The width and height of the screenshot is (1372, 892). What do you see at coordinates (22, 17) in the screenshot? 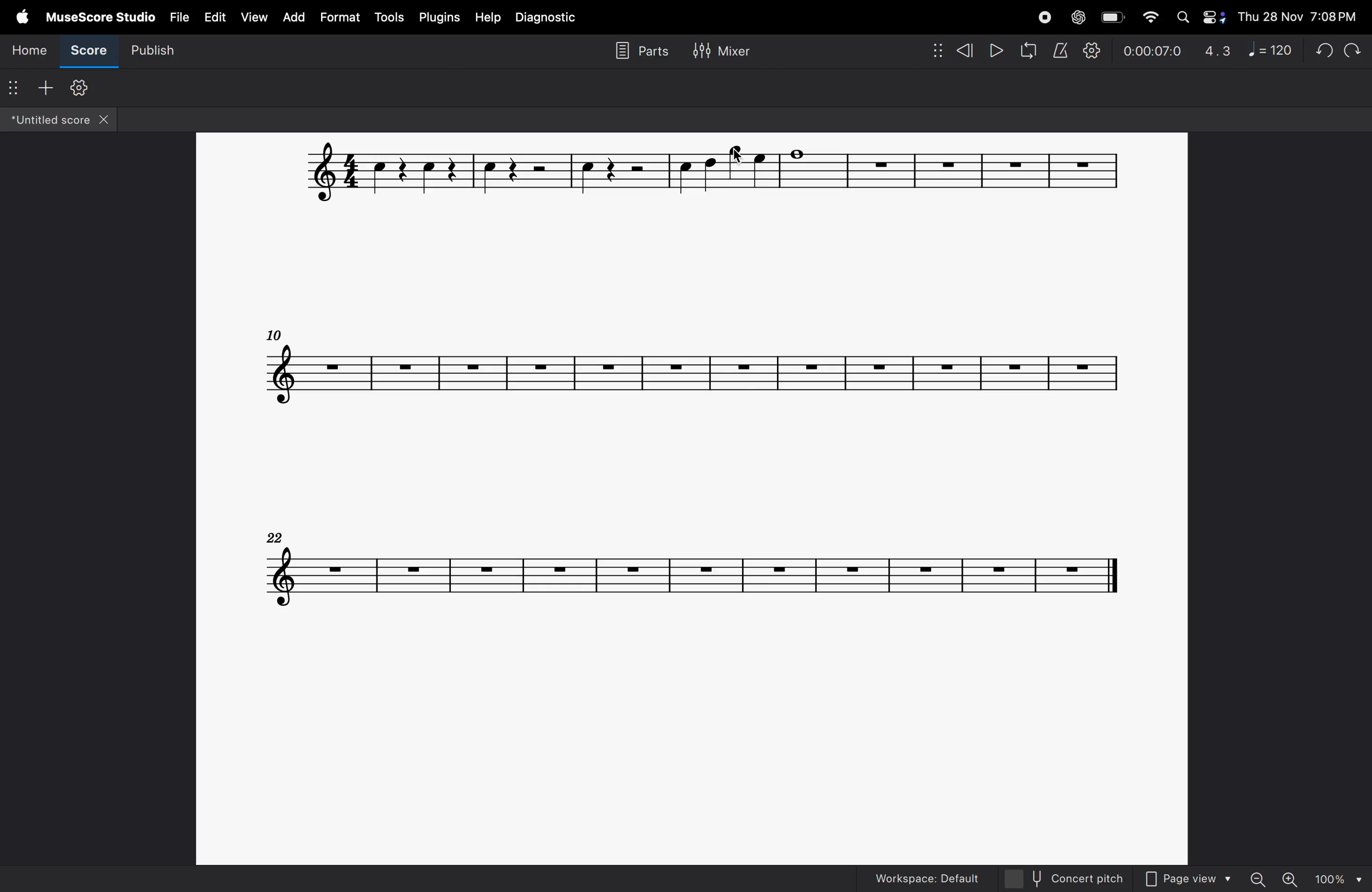
I see `apple menu` at bounding box center [22, 17].